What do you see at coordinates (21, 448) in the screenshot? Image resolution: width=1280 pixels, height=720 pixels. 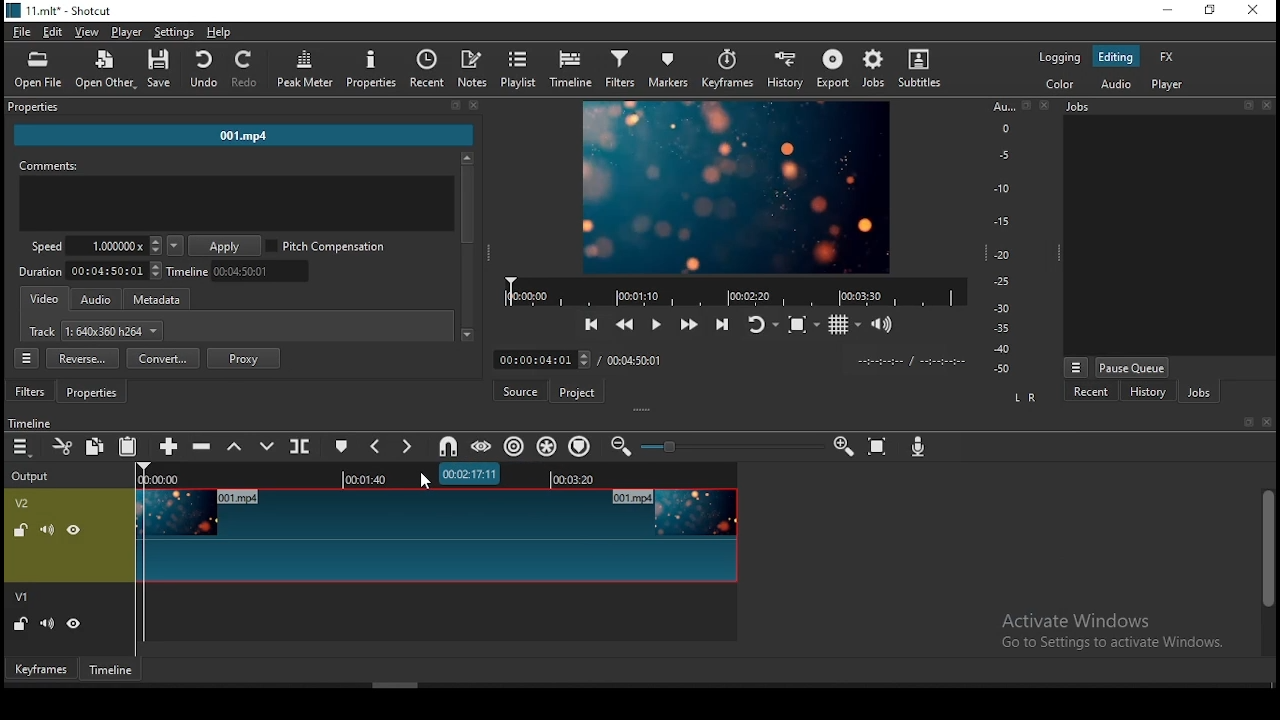 I see `timeline menu` at bounding box center [21, 448].